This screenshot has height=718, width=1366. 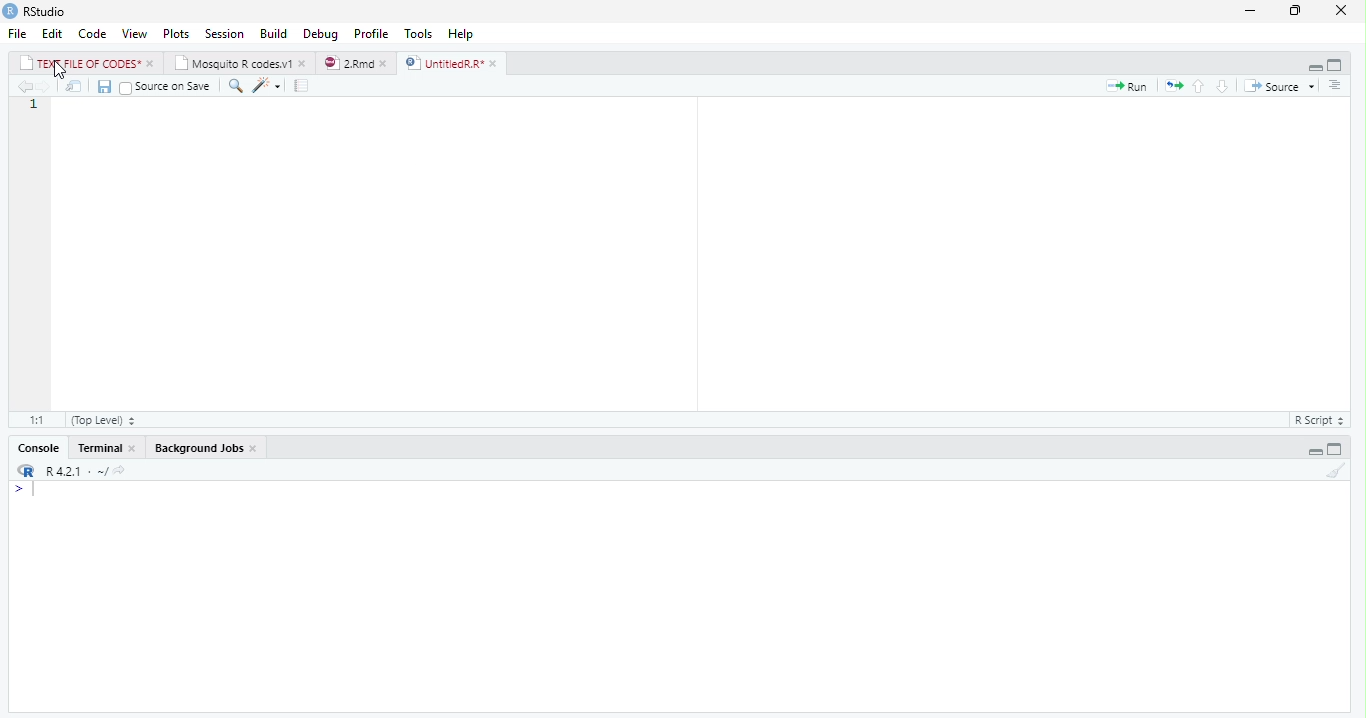 What do you see at coordinates (1313, 449) in the screenshot?
I see `Hide` at bounding box center [1313, 449].